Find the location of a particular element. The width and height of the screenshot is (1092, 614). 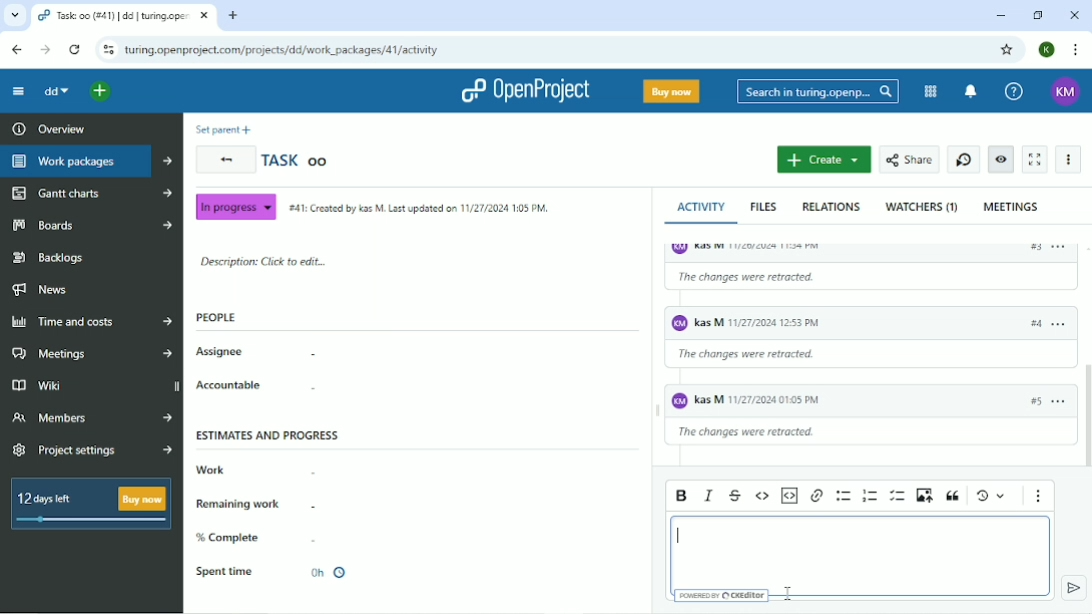

Italic is located at coordinates (707, 496).